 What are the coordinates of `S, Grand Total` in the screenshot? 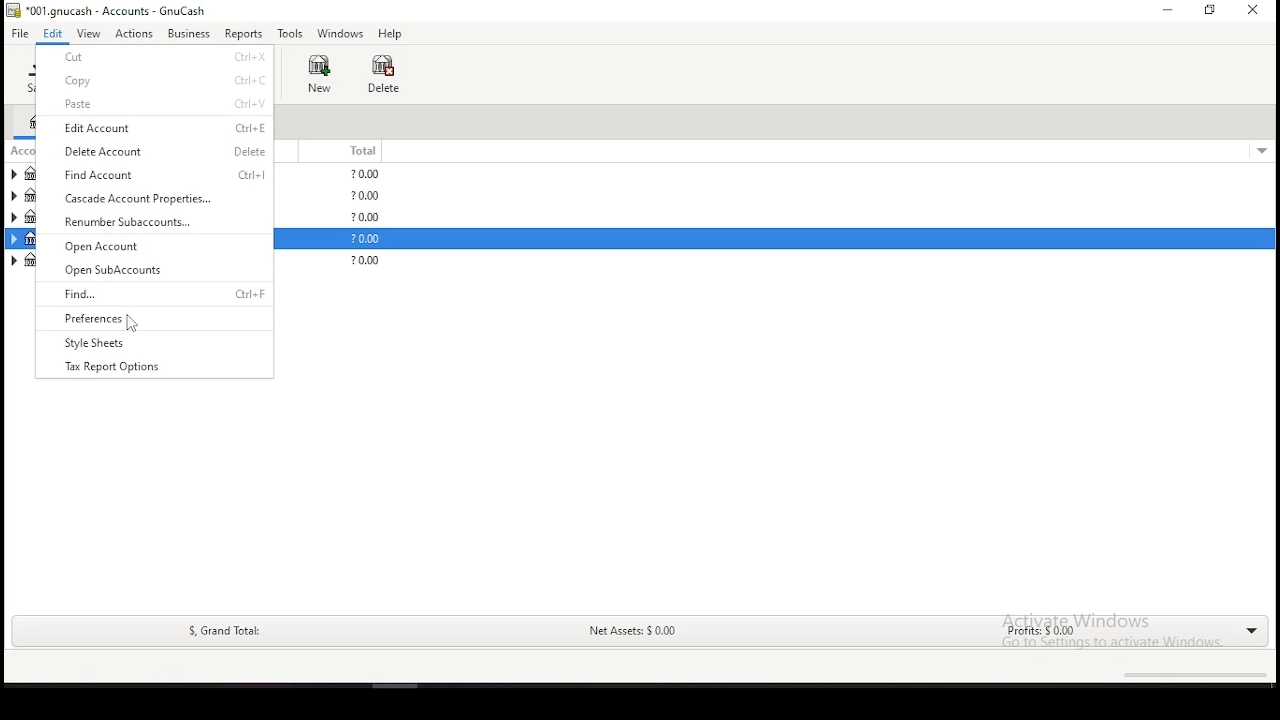 It's located at (222, 631).